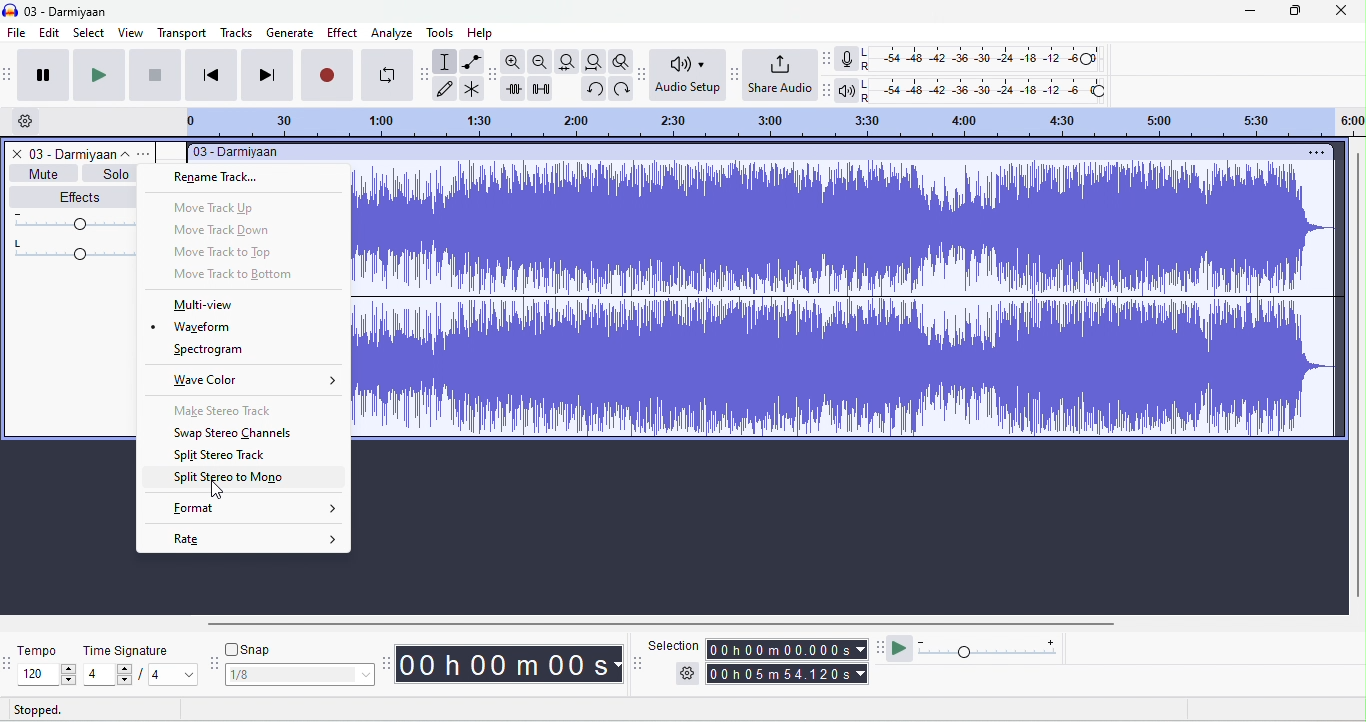 The height and width of the screenshot is (722, 1366). What do you see at coordinates (220, 488) in the screenshot?
I see `cursor movement` at bounding box center [220, 488].